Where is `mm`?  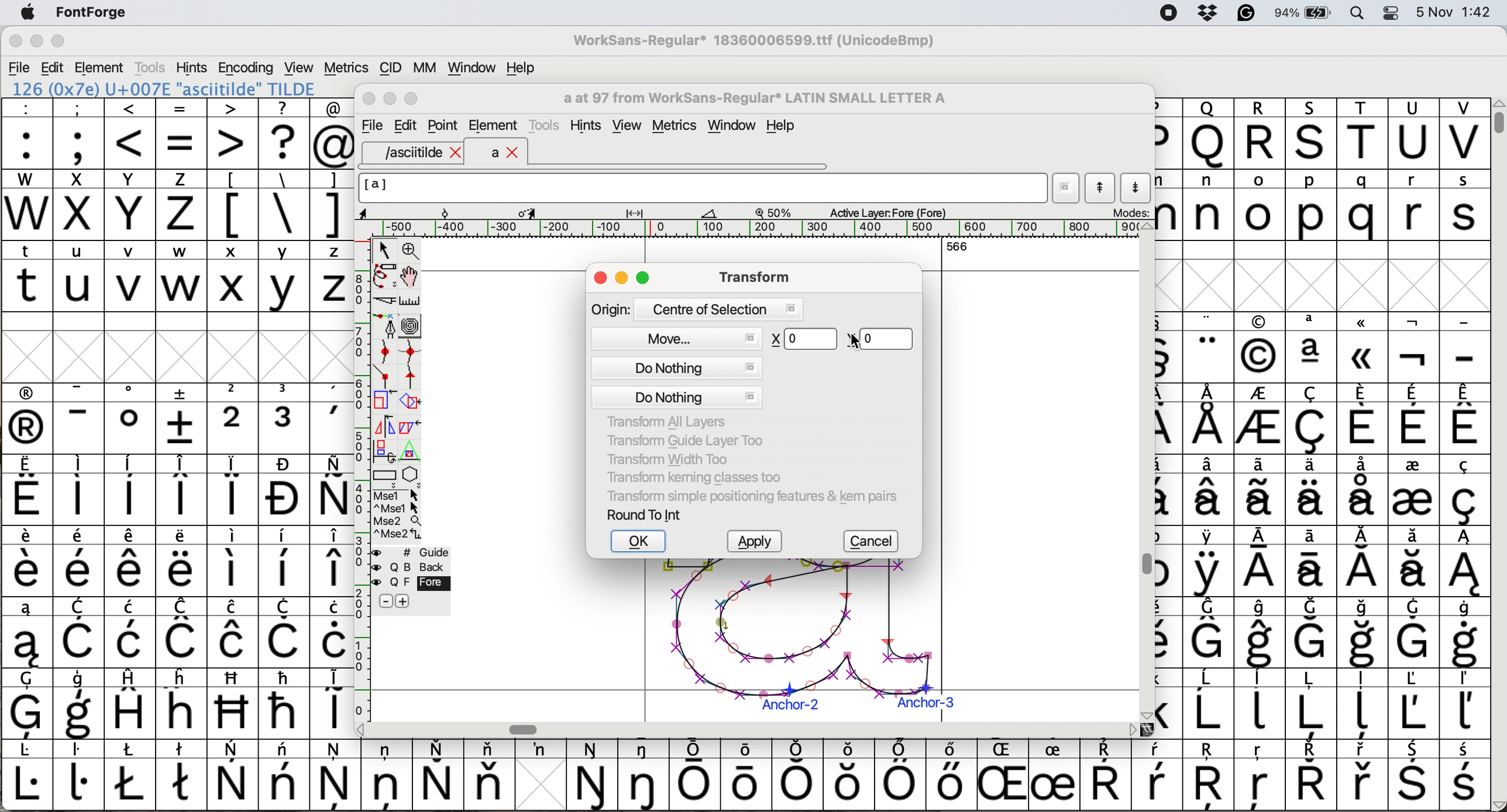
mm is located at coordinates (424, 67).